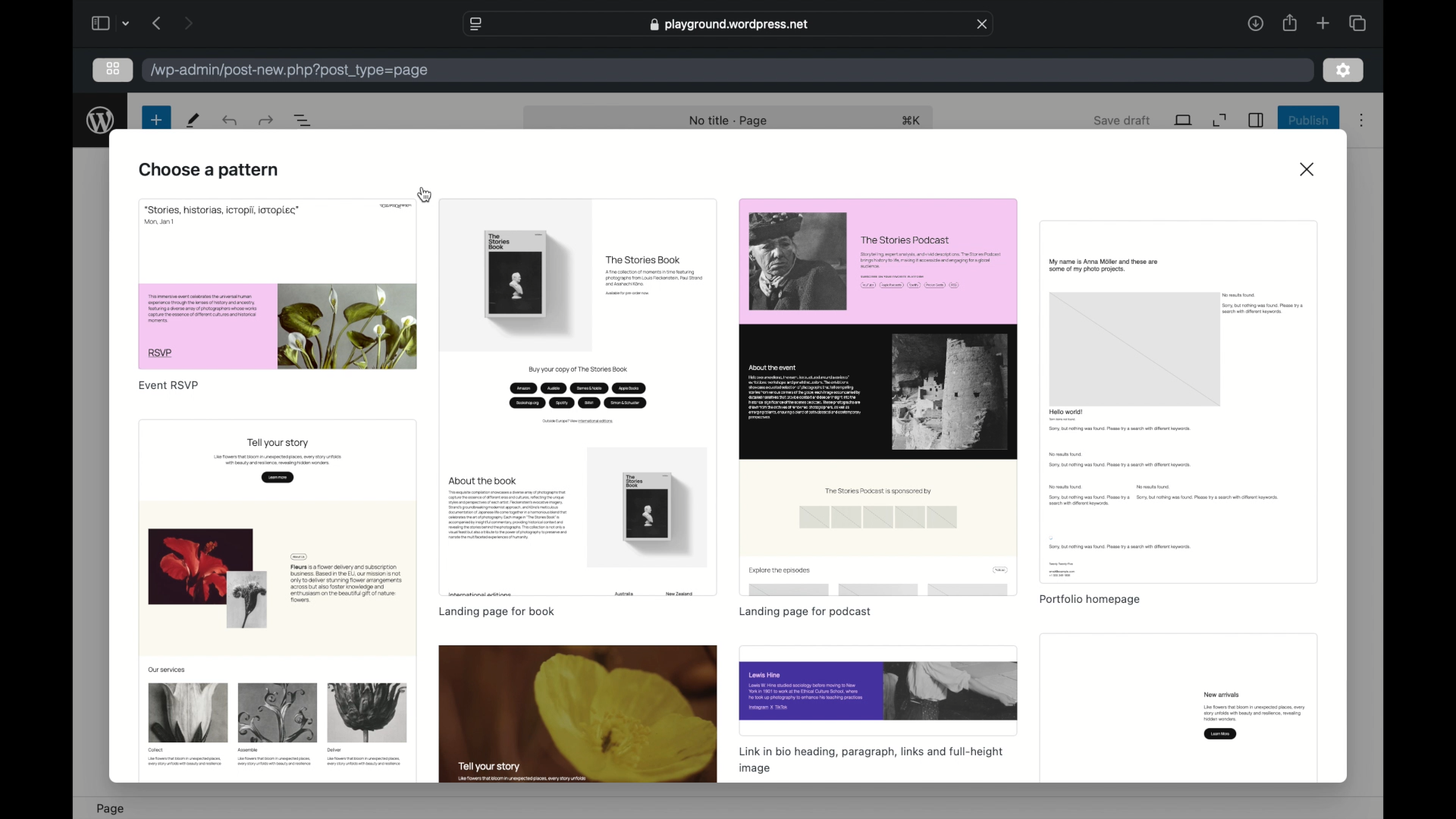 This screenshot has height=819, width=1456. I want to click on dropdown, so click(128, 23).